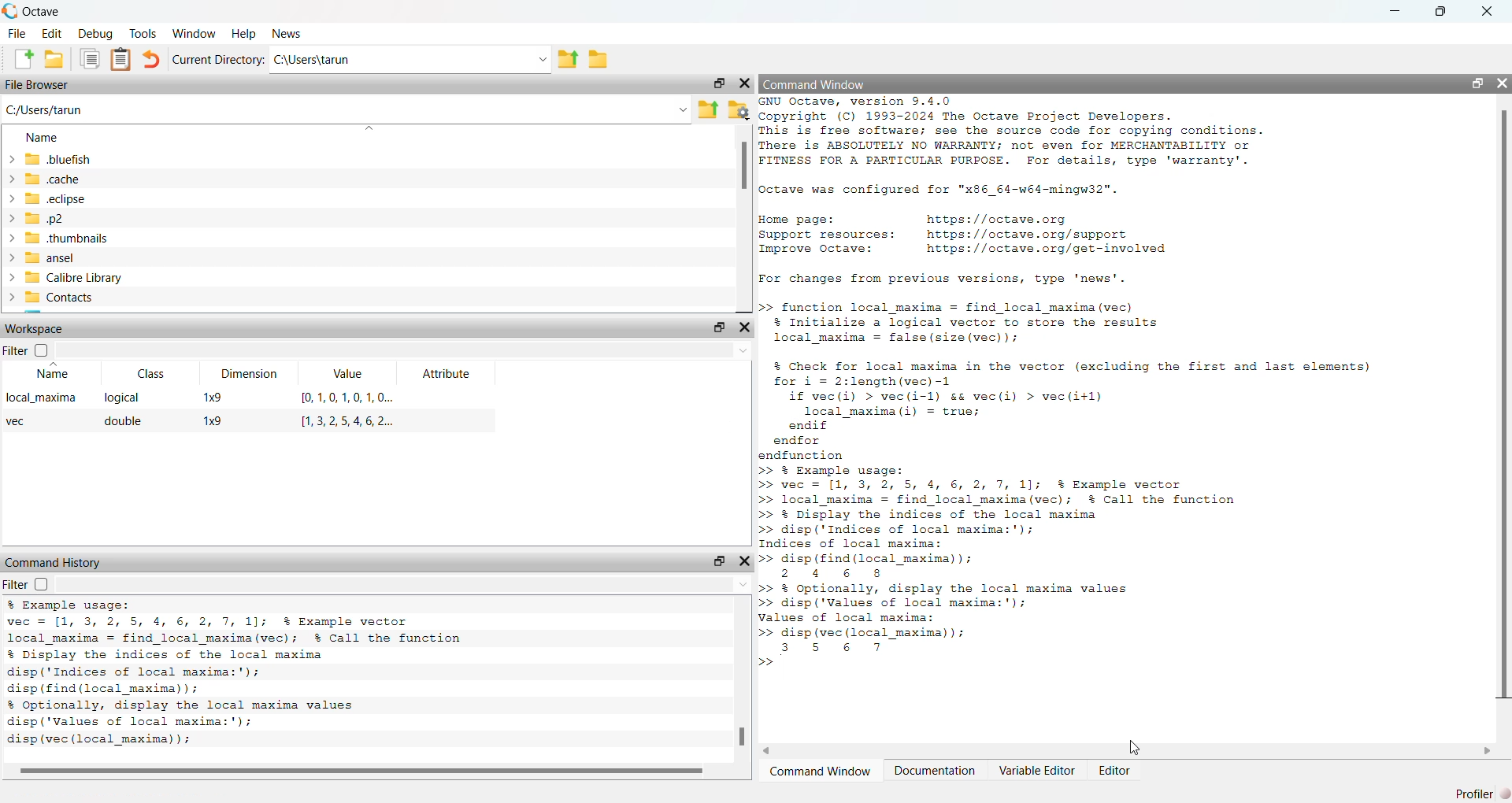  I want to click on Undock Widget, so click(719, 327).